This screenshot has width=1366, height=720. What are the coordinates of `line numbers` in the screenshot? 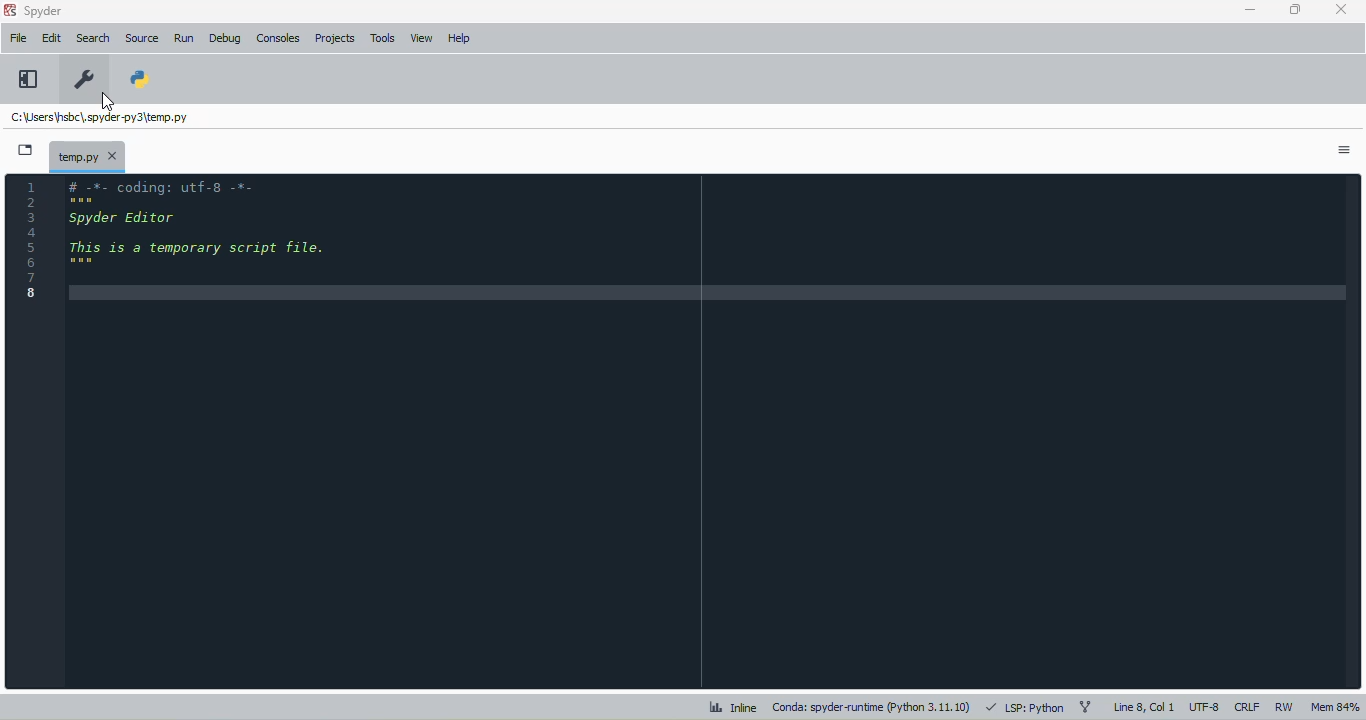 It's located at (33, 240).